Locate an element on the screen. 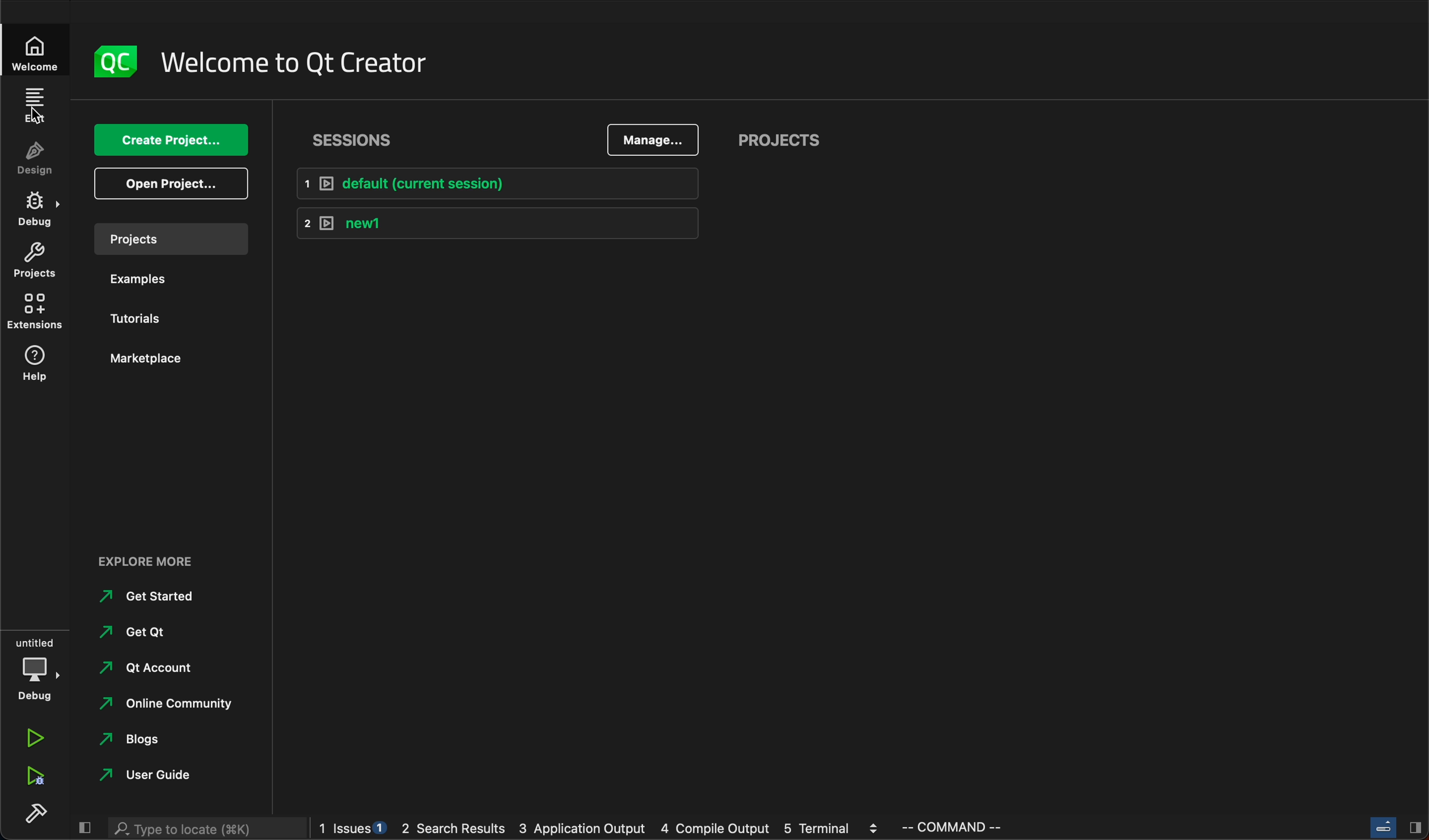 The width and height of the screenshot is (1429, 840). welcome is located at coordinates (39, 52).